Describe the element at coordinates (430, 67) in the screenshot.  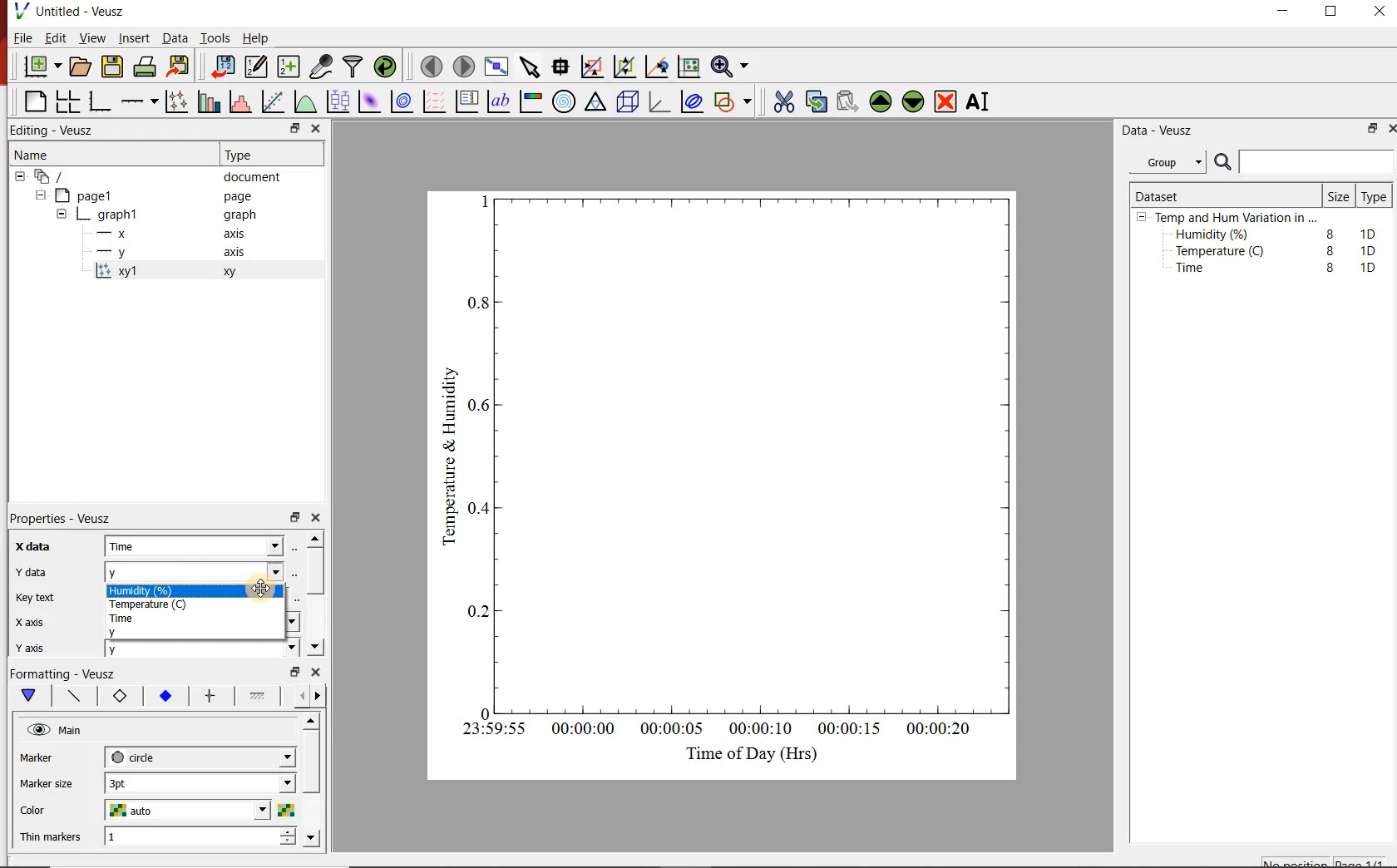
I see `move to the previous page` at that location.